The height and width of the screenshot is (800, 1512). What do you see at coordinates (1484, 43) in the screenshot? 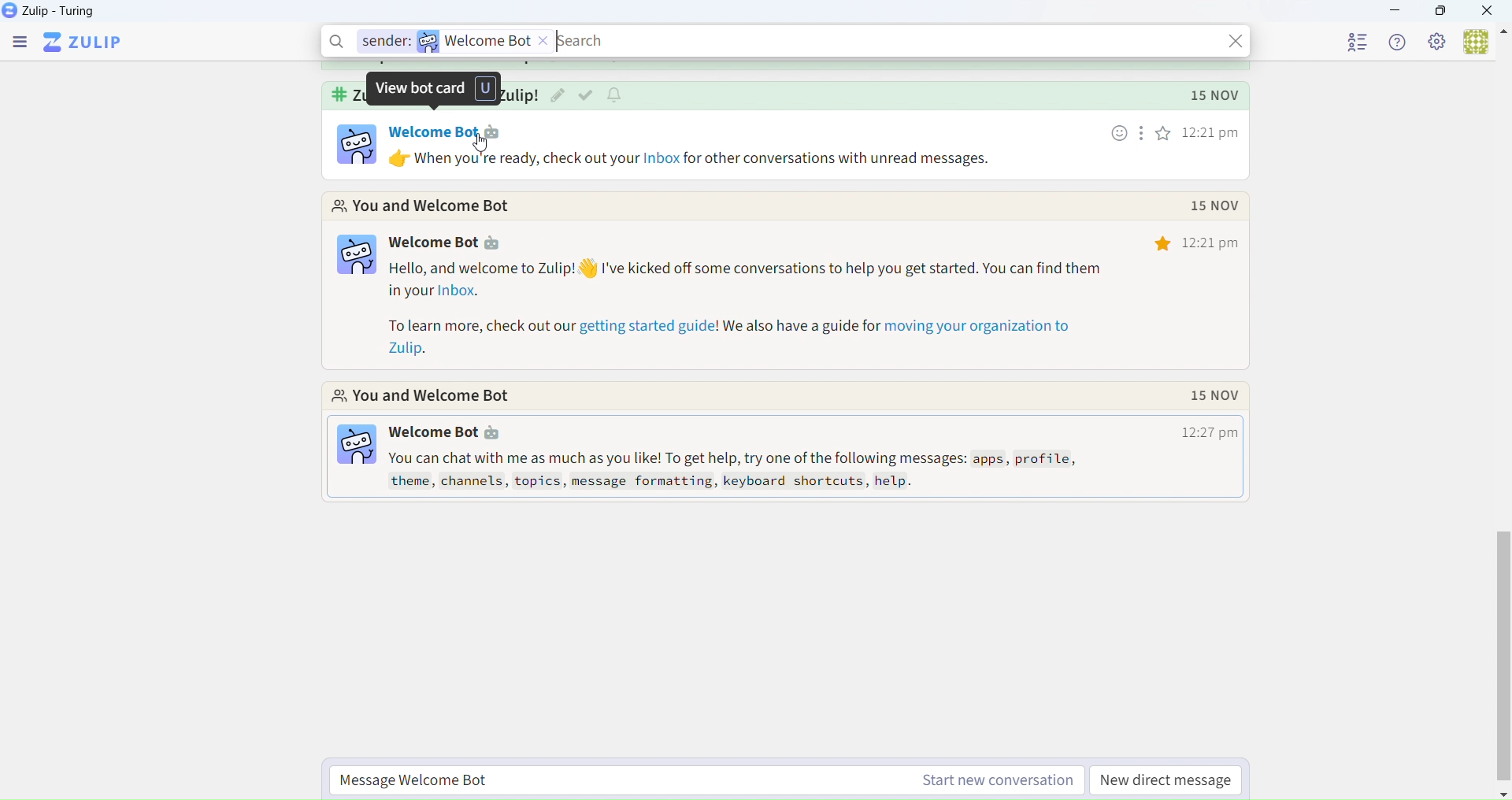
I see `Users` at bounding box center [1484, 43].